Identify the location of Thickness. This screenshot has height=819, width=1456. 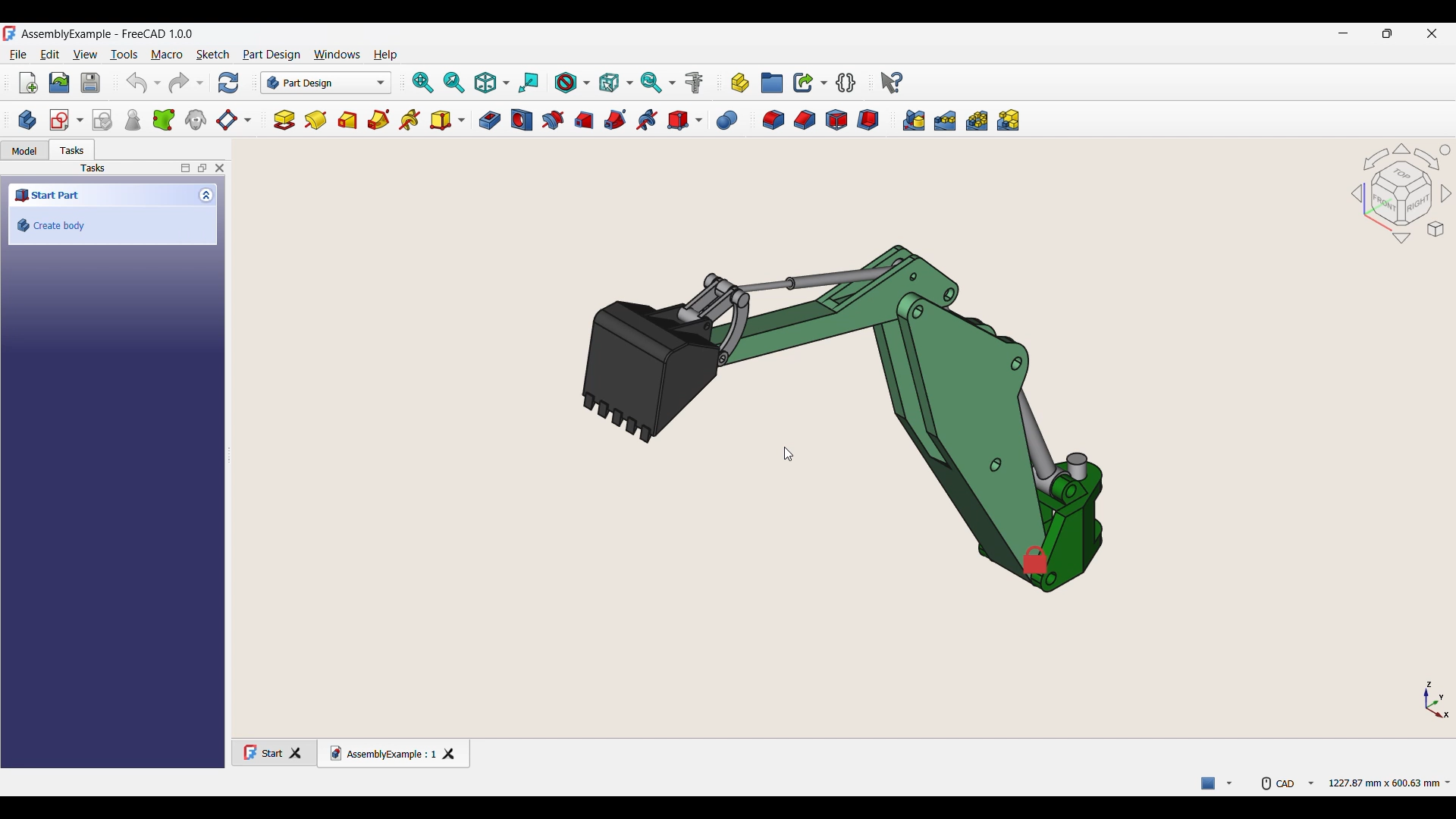
(868, 120).